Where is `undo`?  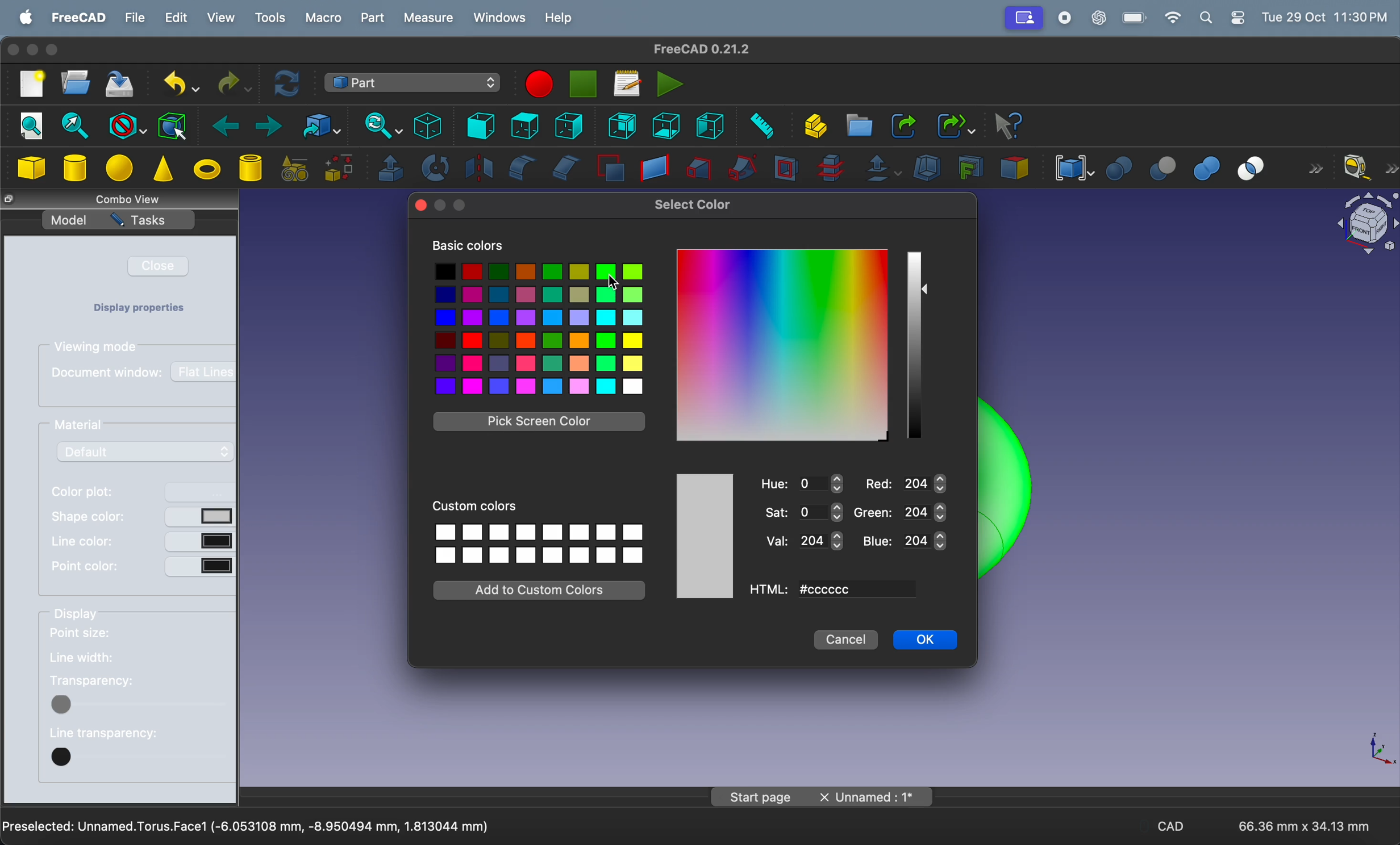 undo is located at coordinates (181, 84).